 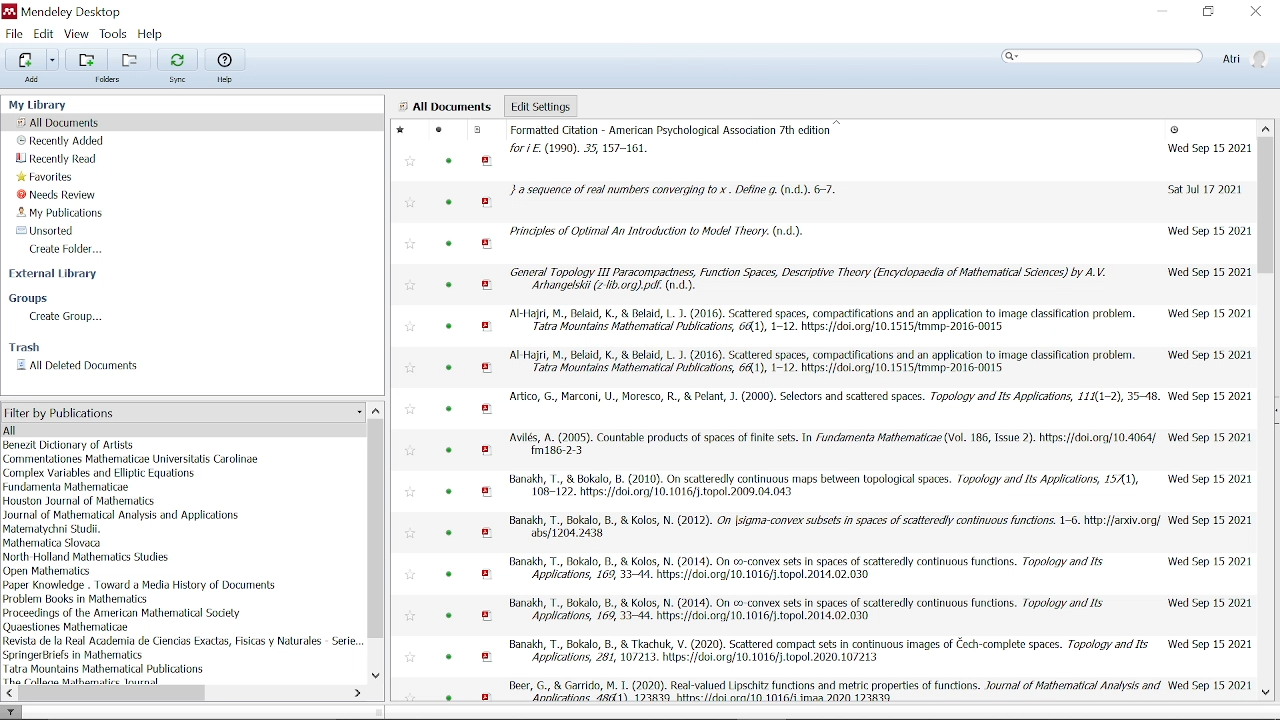 I want to click on All, so click(x=172, y=431).